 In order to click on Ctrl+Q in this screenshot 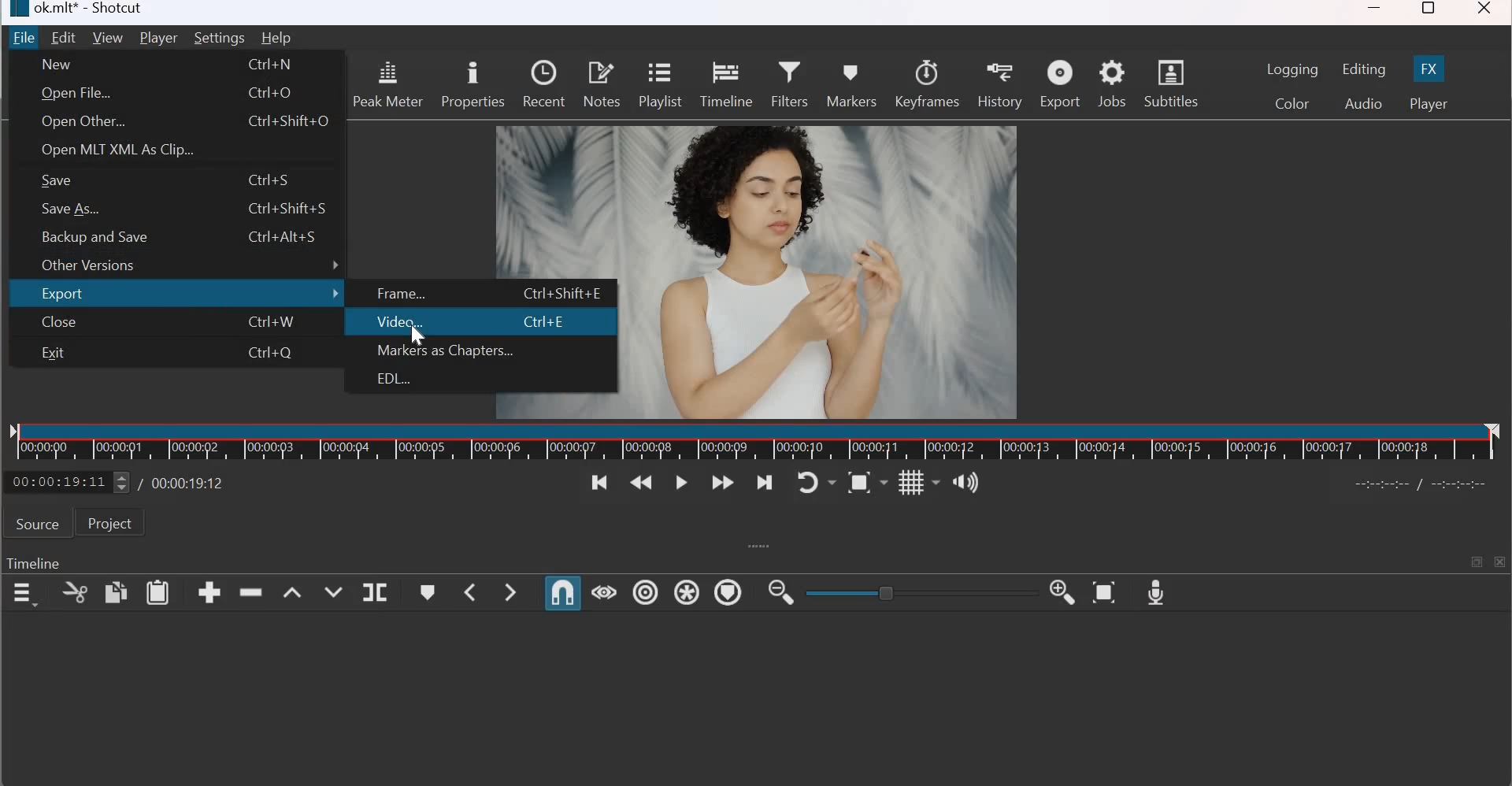, I will do `click(276, 353)`.